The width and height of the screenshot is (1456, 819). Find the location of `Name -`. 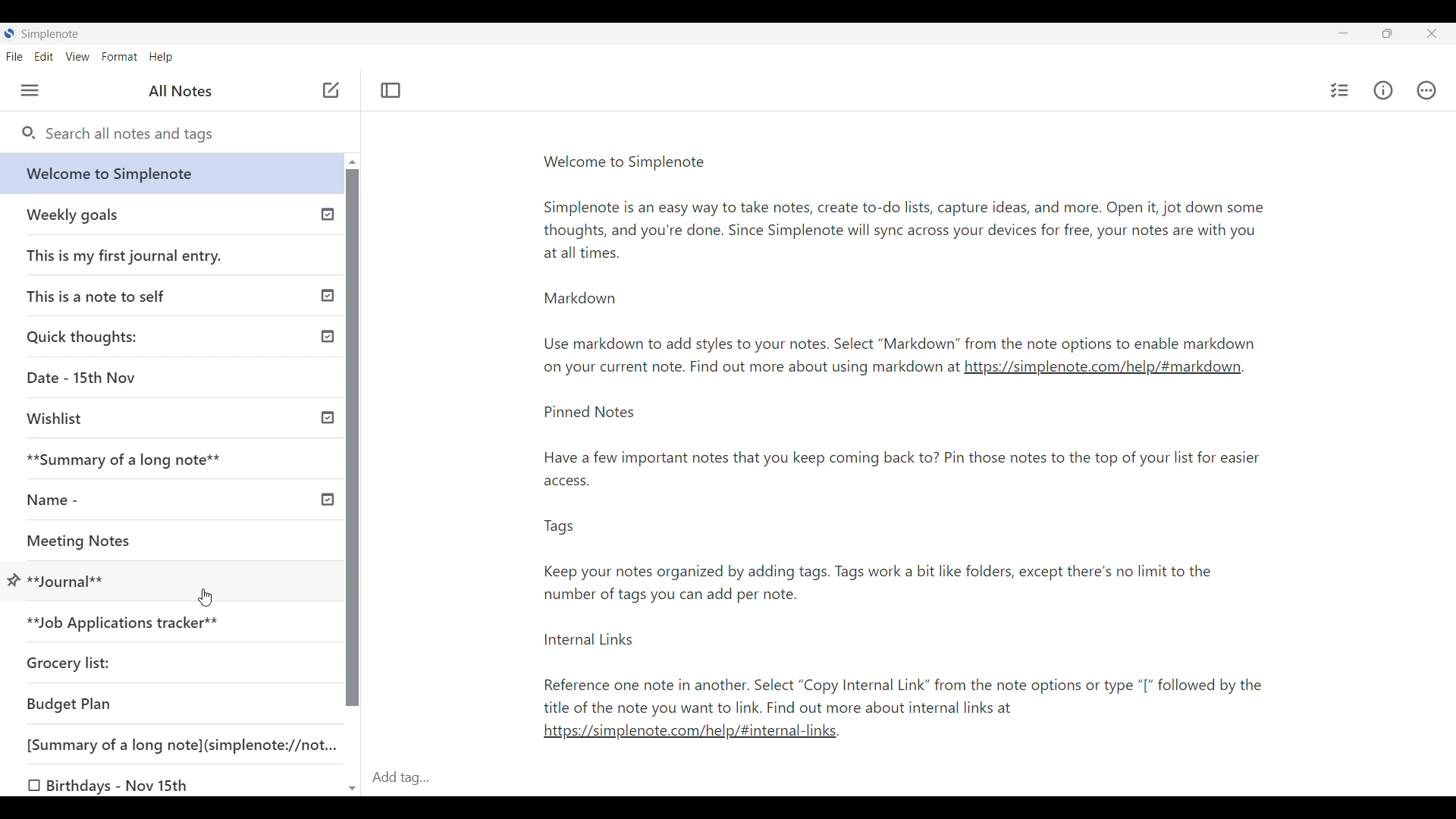

Name - is located at coordinates (58, 500).